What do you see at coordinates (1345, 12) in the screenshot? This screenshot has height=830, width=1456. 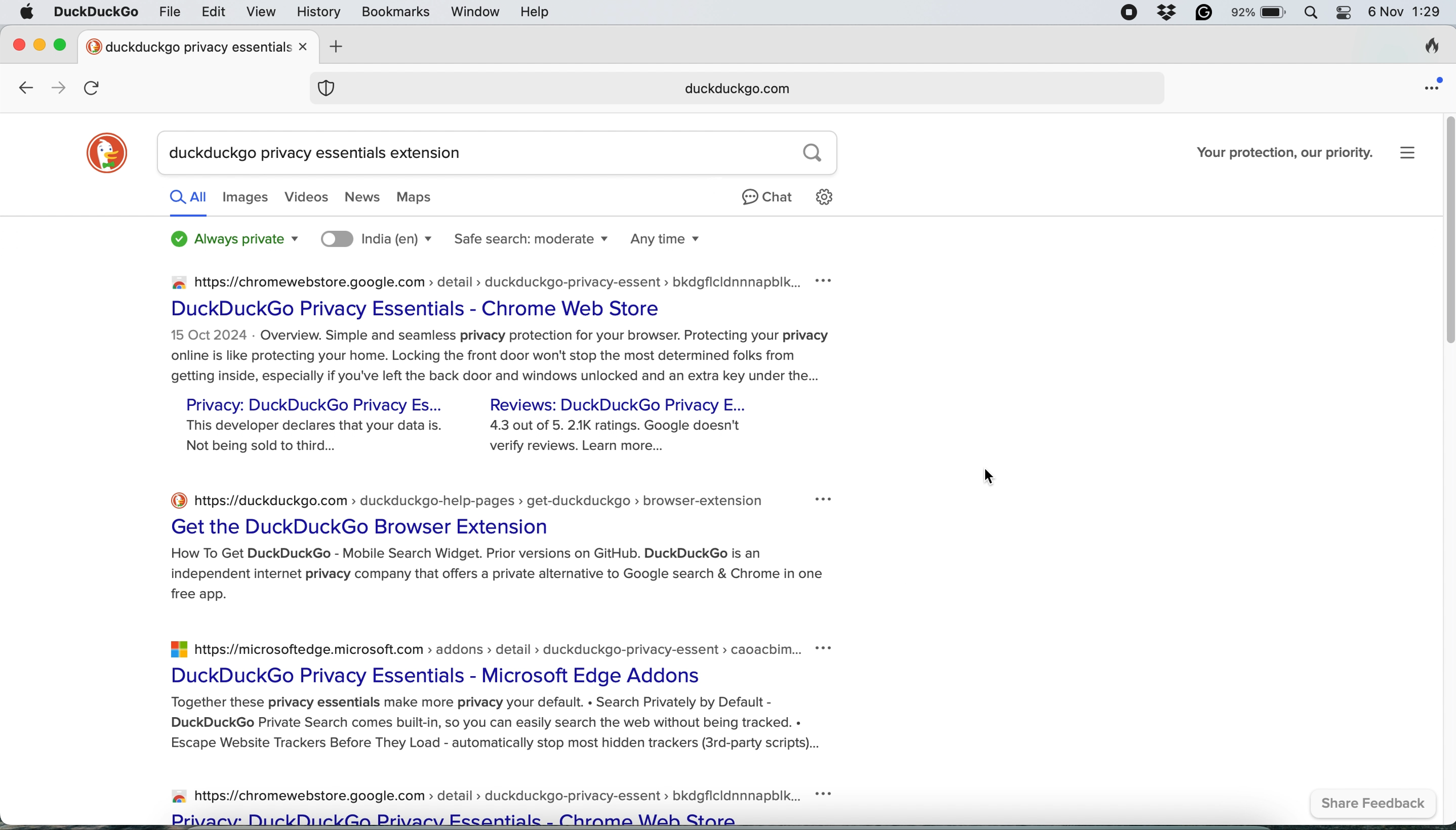 I see `control center` at bounding box center [1345, 12].